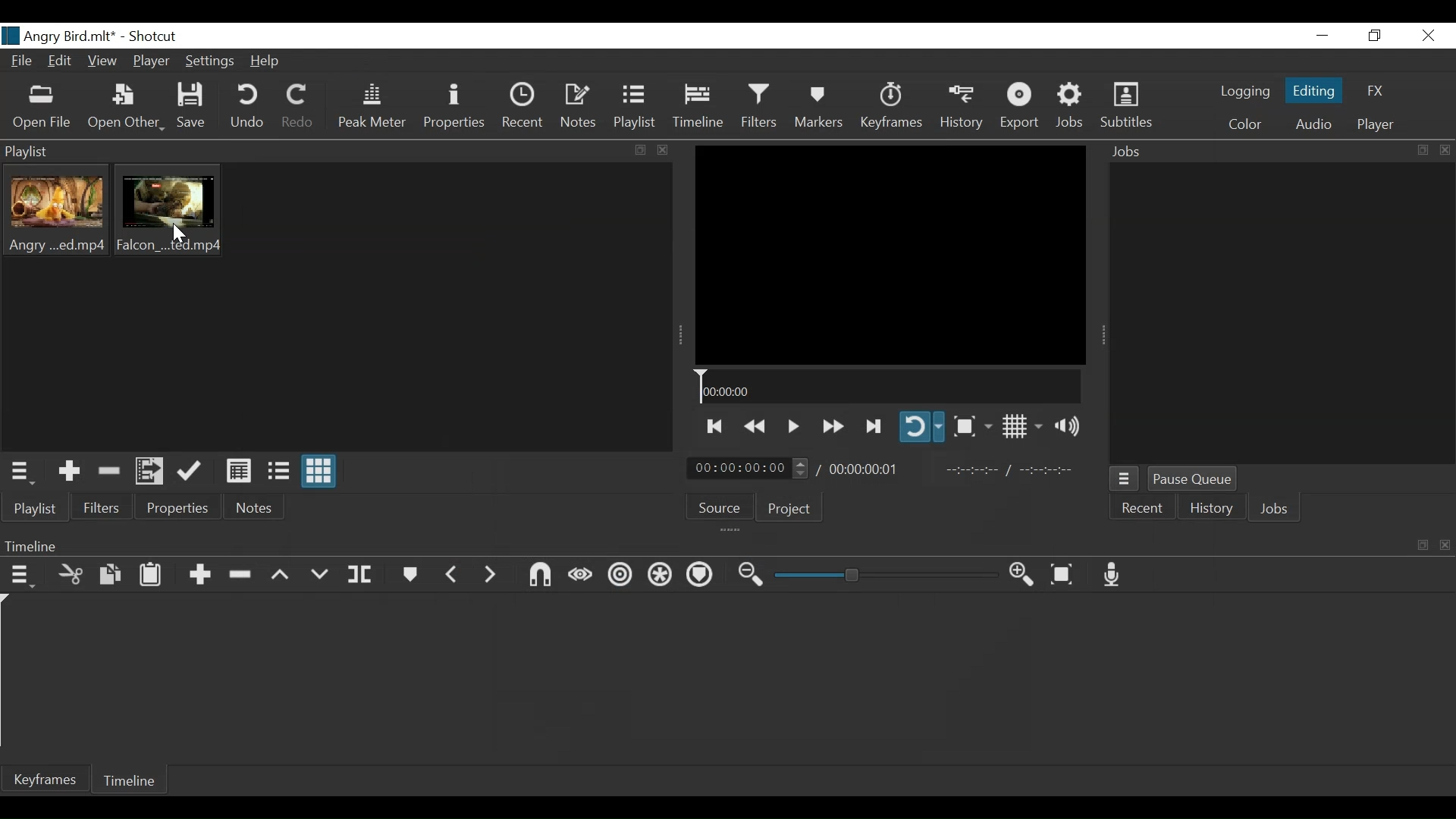  Describe the element at coordinates (166, 212) in the screenshot. I see `Clip` at that location.